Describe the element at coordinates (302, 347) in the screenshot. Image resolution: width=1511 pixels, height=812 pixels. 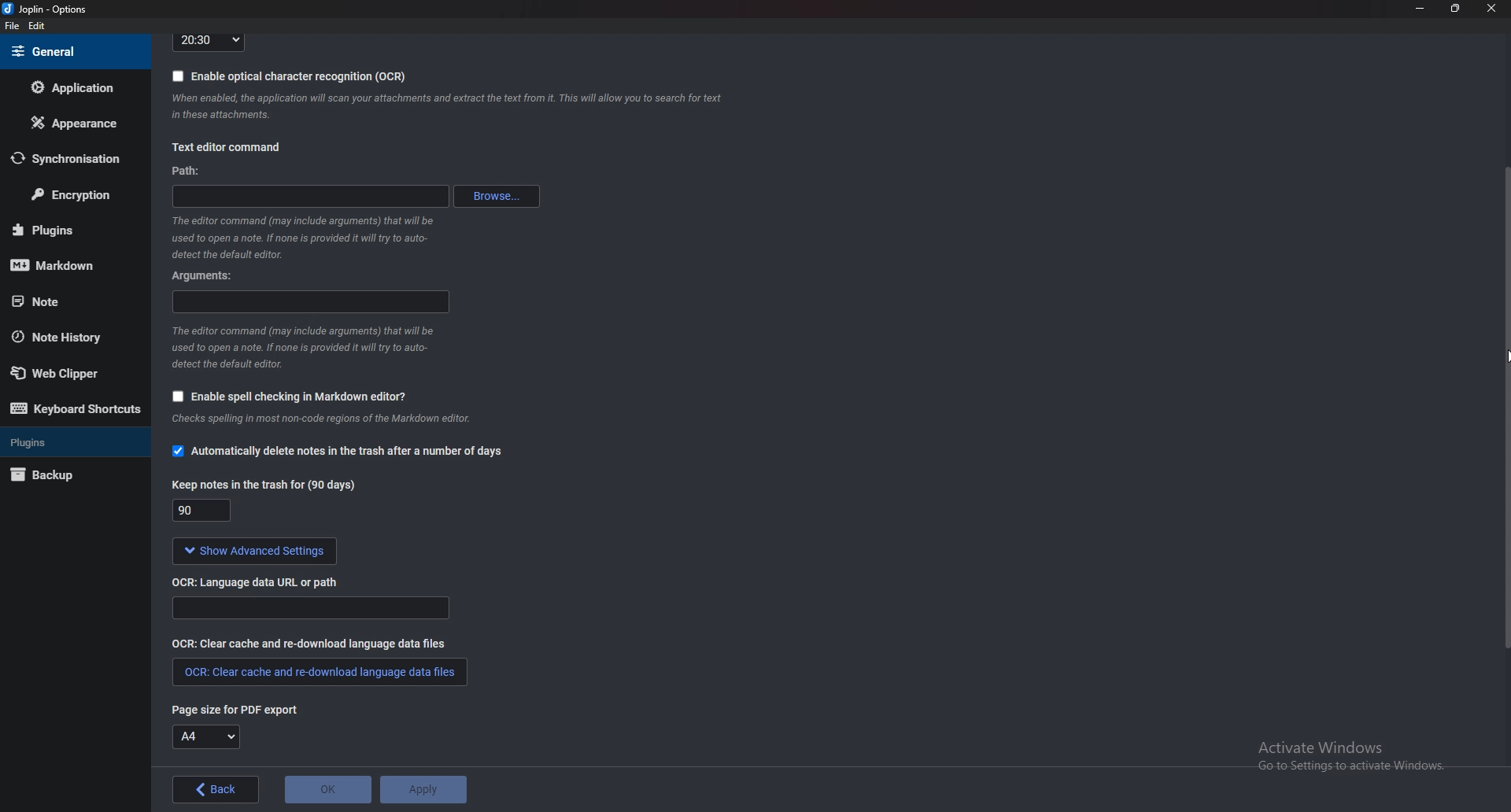
I see `Info on editor command` at that location.